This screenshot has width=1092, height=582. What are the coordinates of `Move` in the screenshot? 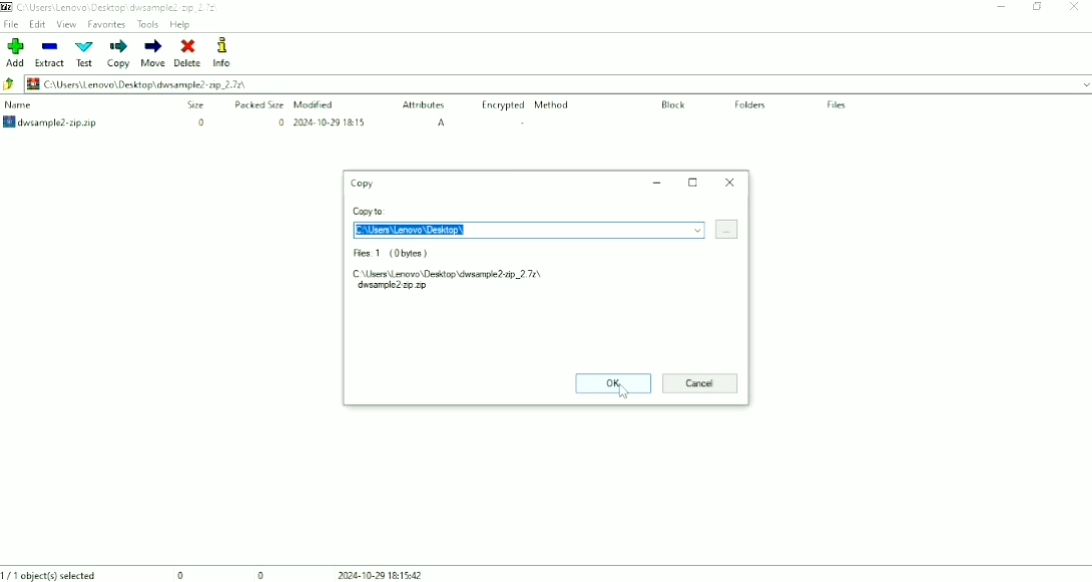 It's located at (152, 53).